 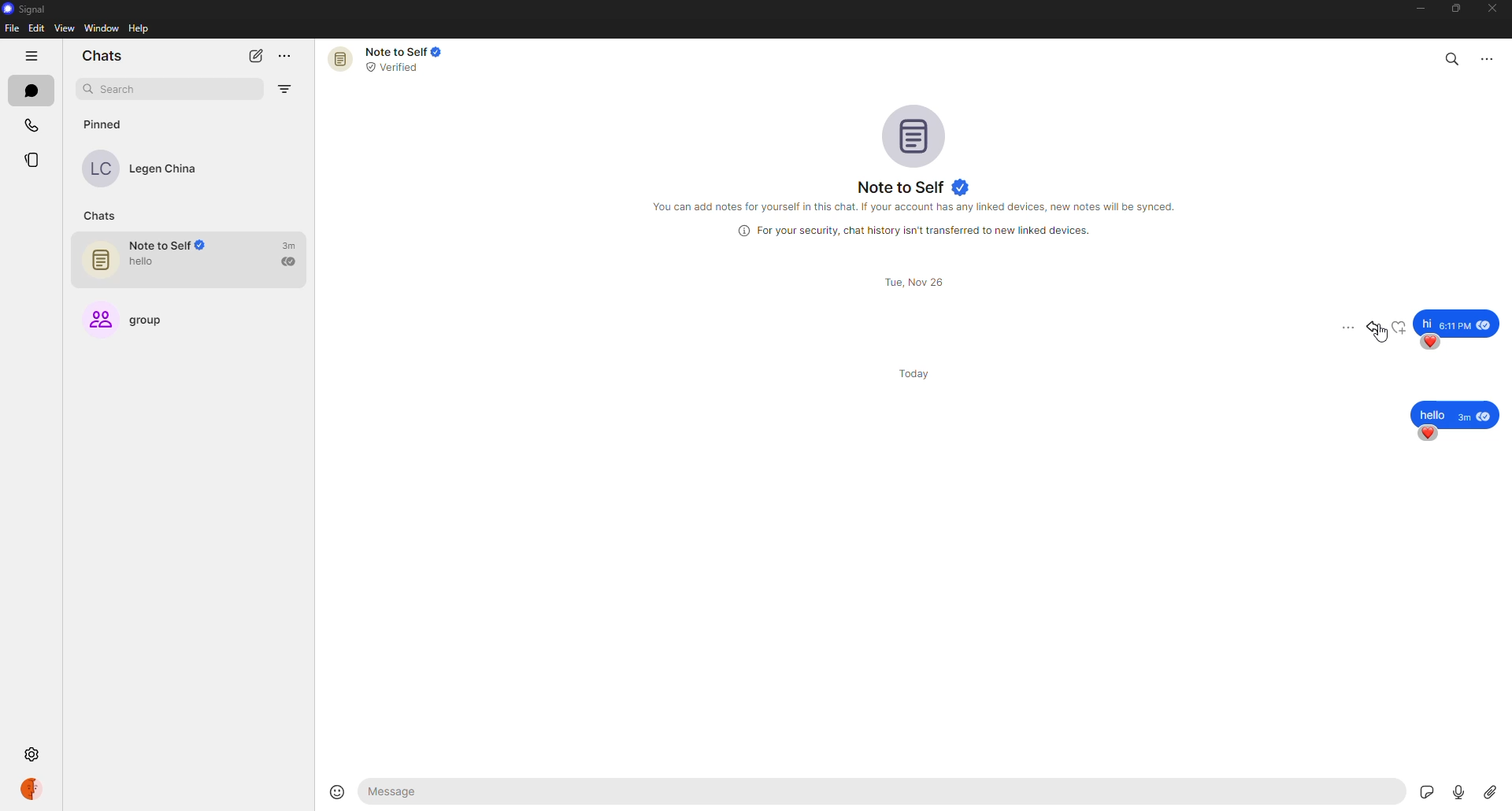 I want to click on stickers, so click(x=1416, y=789).